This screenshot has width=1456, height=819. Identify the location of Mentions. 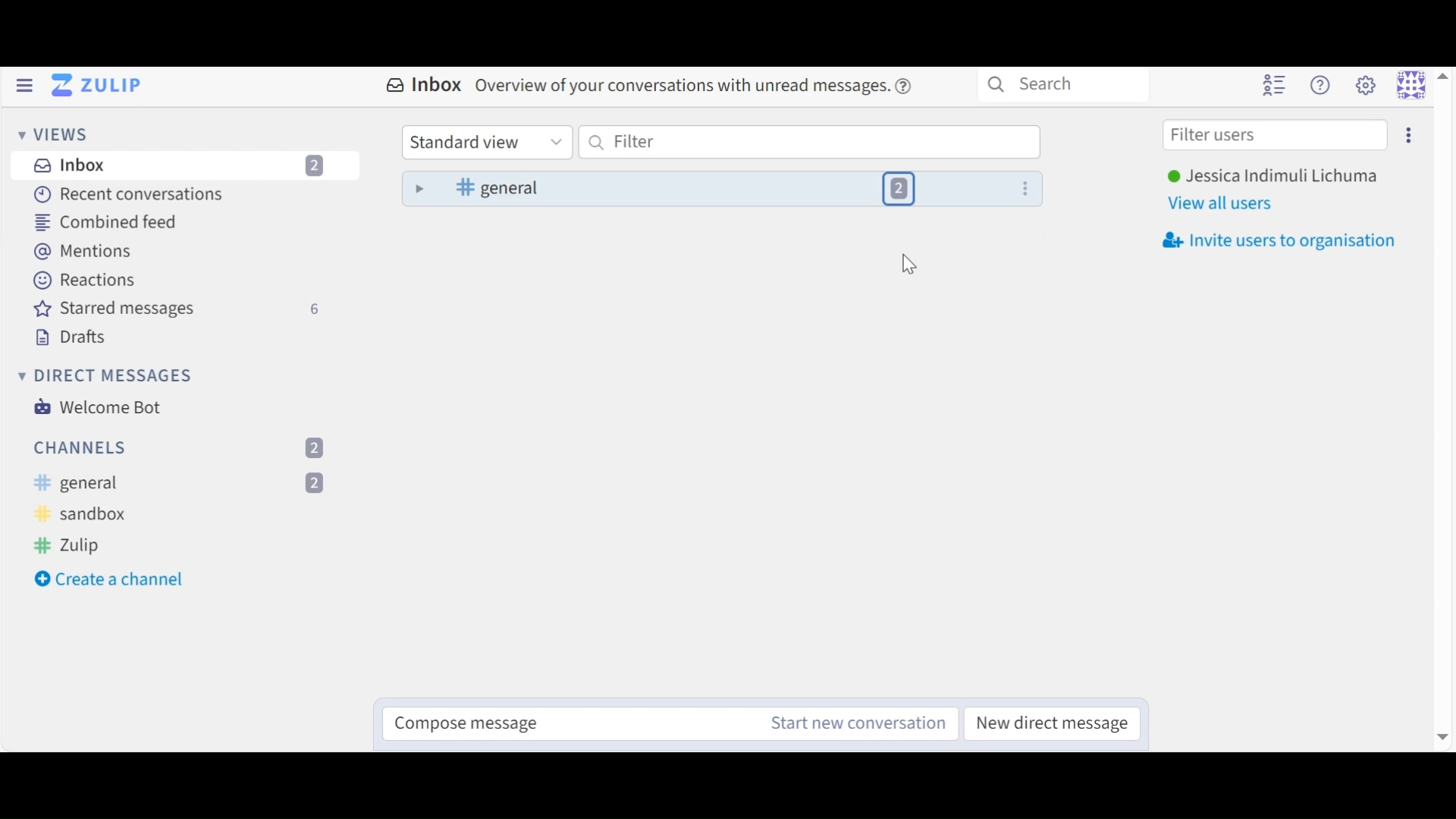
(85, 250).